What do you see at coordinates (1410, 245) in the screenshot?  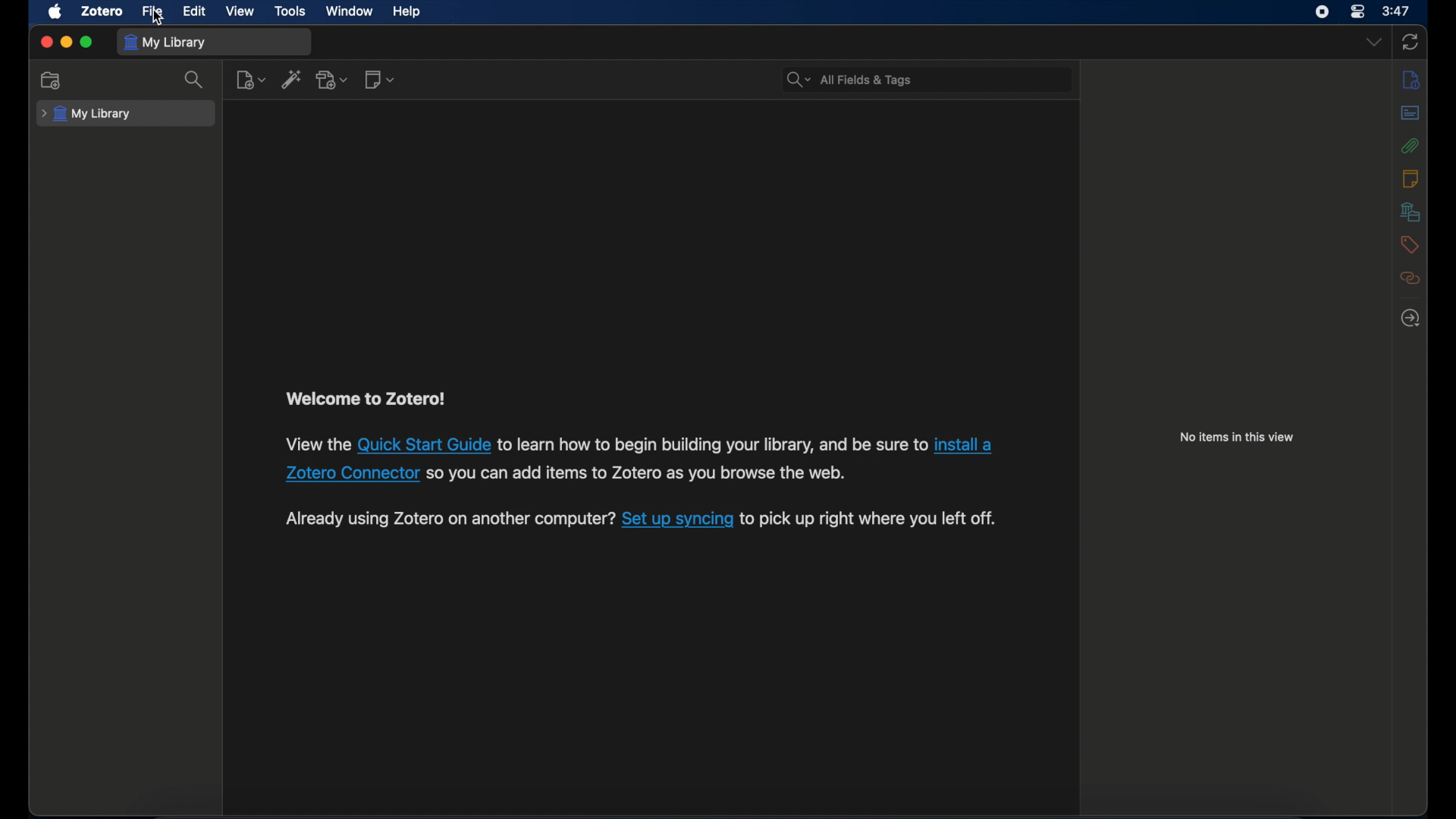 I see `tags` at bounding box center [1410, 245].